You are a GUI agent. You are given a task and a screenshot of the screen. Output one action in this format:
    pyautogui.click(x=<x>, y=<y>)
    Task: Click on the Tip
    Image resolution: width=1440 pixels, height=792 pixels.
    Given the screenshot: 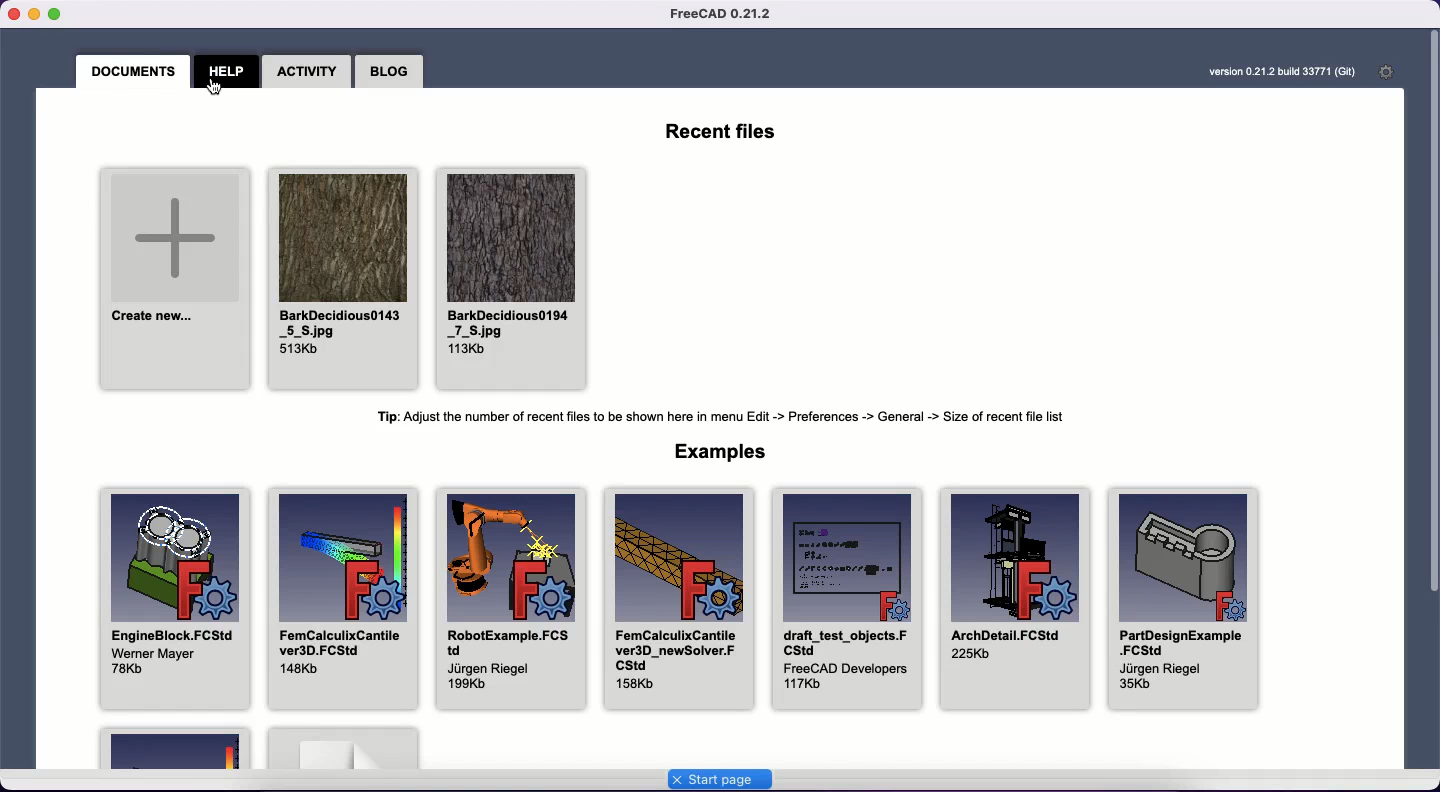 What is the action you would take?
    pyautogui.click(x=719, y=419)
    